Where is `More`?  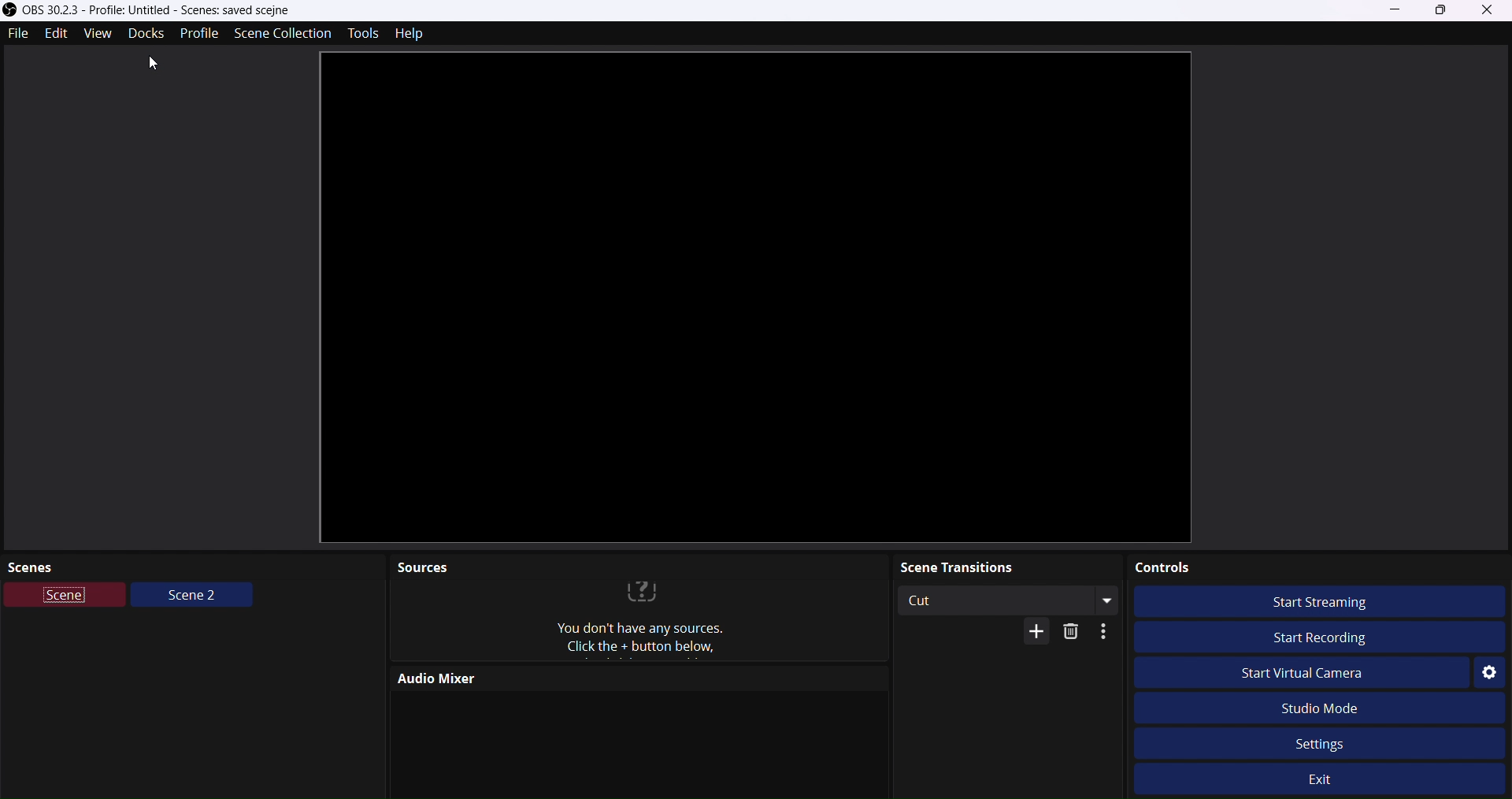 More is located at coordinates (1108, 633).